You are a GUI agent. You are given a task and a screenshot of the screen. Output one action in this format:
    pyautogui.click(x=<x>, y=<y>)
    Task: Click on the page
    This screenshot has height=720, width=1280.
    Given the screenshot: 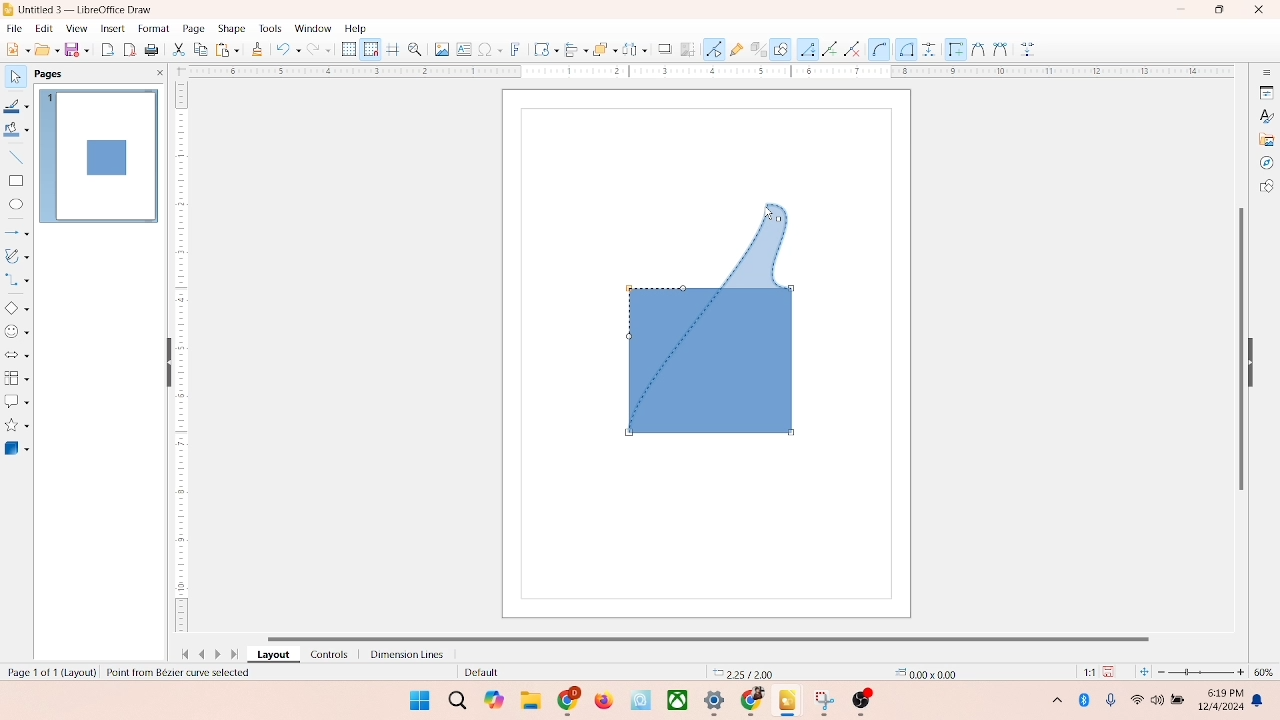 What is the action you would take?
    pyautogui.click(x=191, y=29)
    